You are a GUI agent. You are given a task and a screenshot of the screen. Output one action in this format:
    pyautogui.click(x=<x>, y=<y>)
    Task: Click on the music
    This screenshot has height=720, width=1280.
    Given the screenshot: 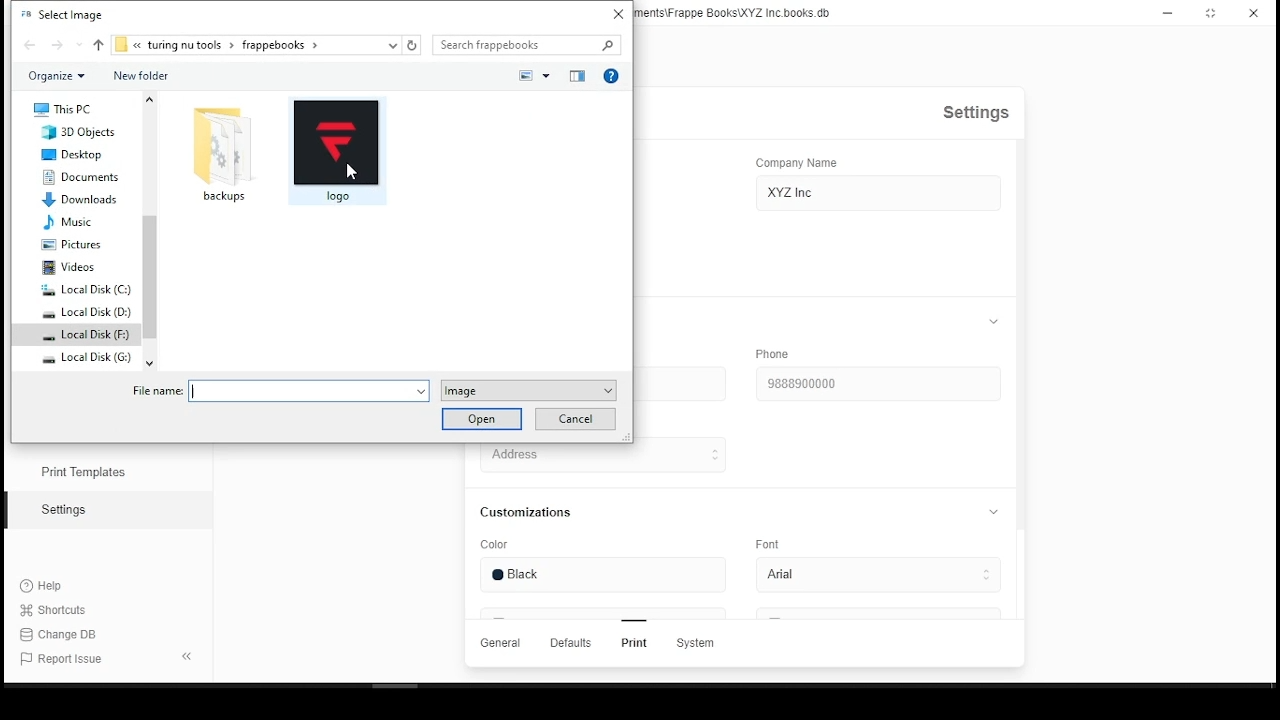 What is the action you would take?
    pyautogui.click(x=75, y=222)
    